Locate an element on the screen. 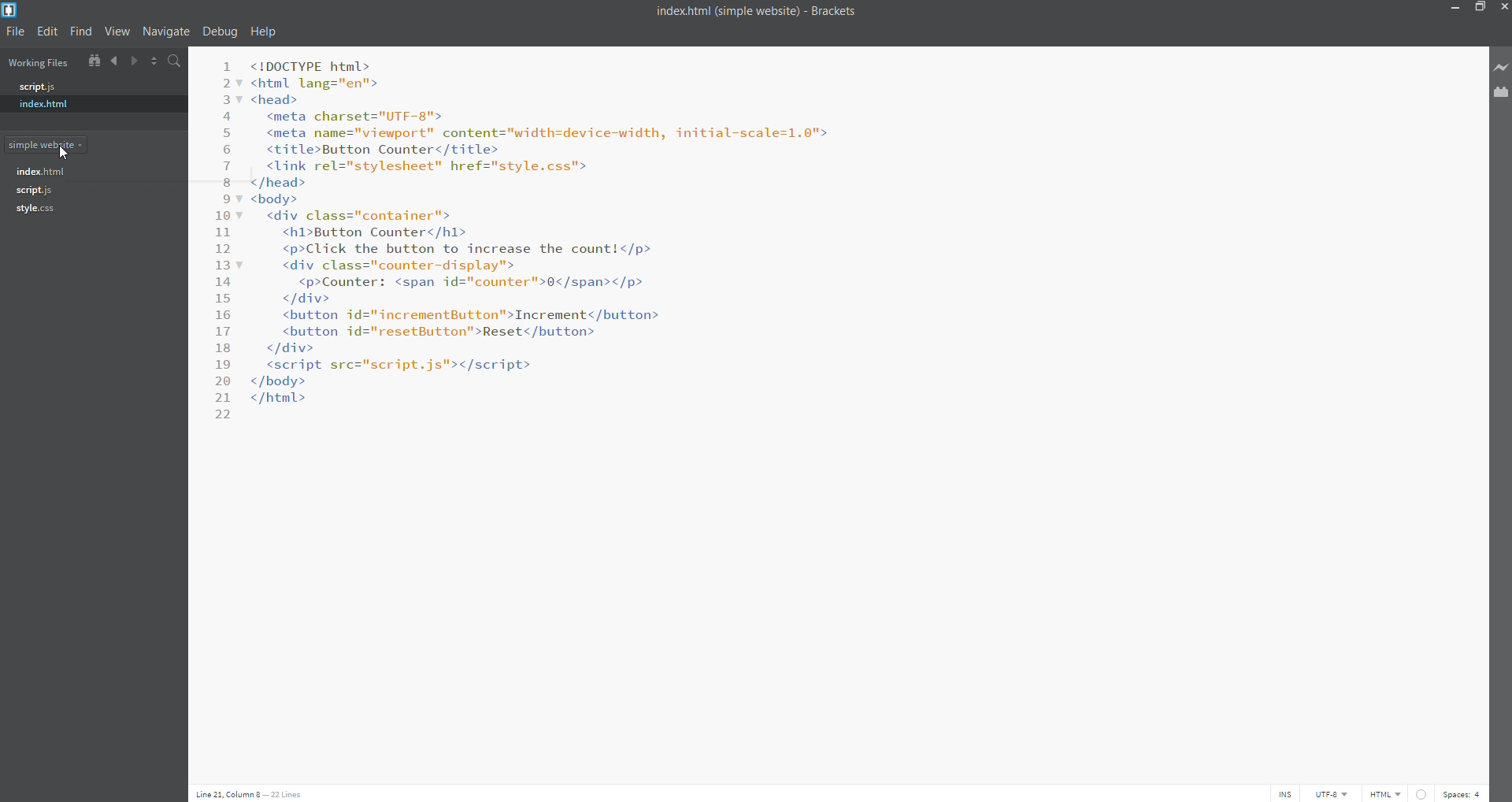 The image size is (1512, 802). Line 21, Column 8- 22 Lines is located at coordinates (249, 793).